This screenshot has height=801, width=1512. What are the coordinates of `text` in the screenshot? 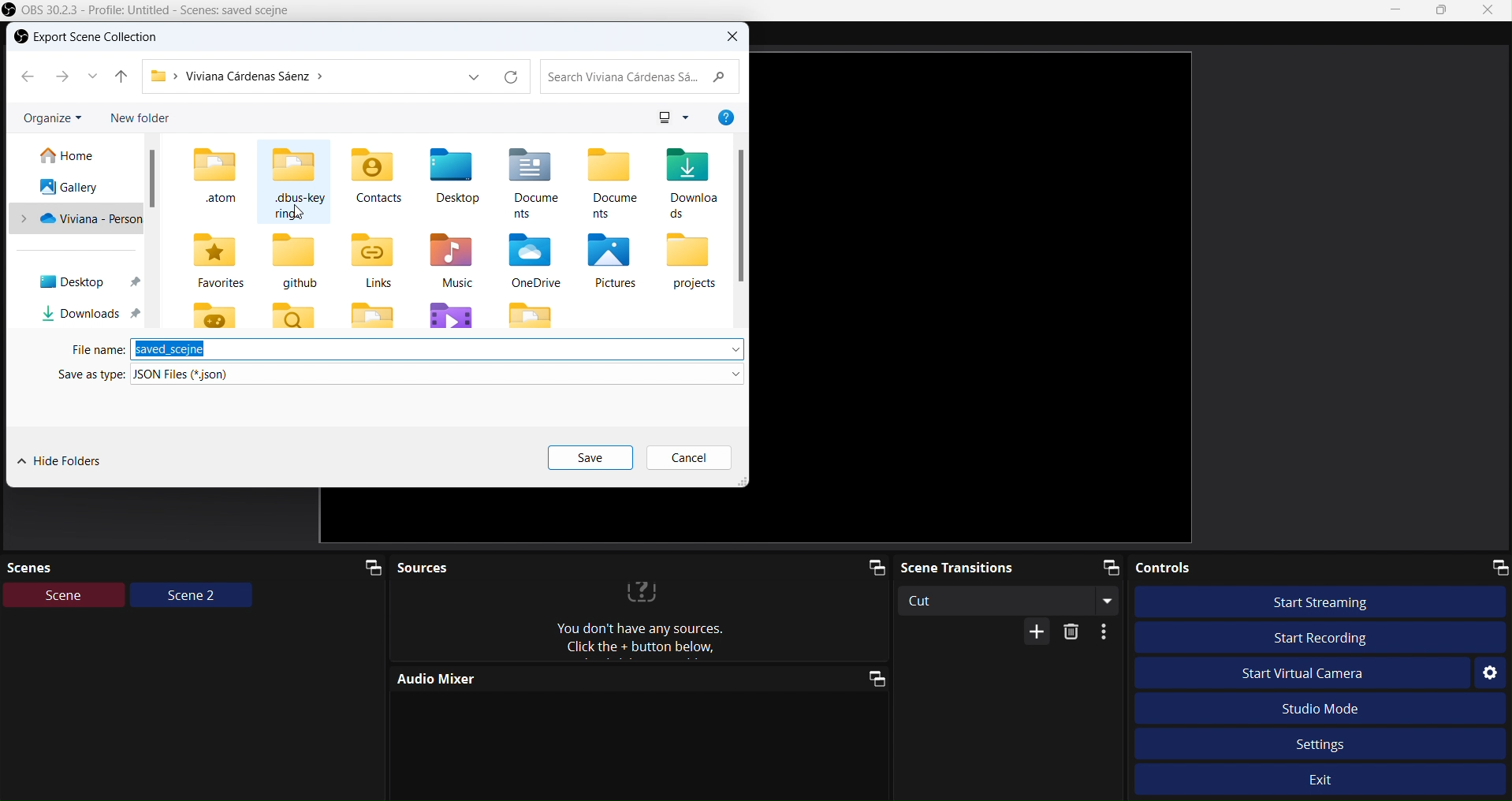 It's located at (646, 624).